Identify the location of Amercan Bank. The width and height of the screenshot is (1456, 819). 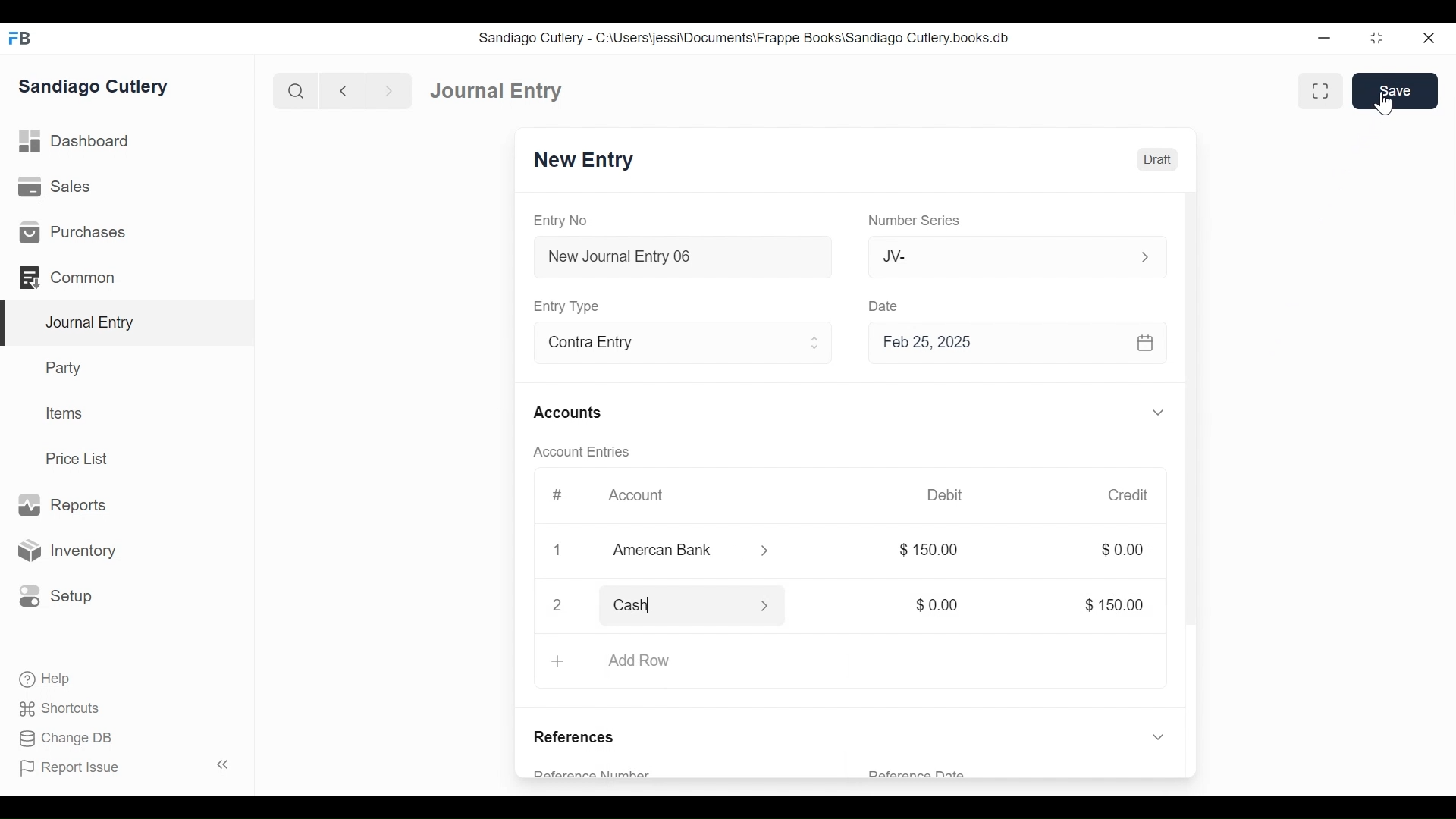
(679, 552).